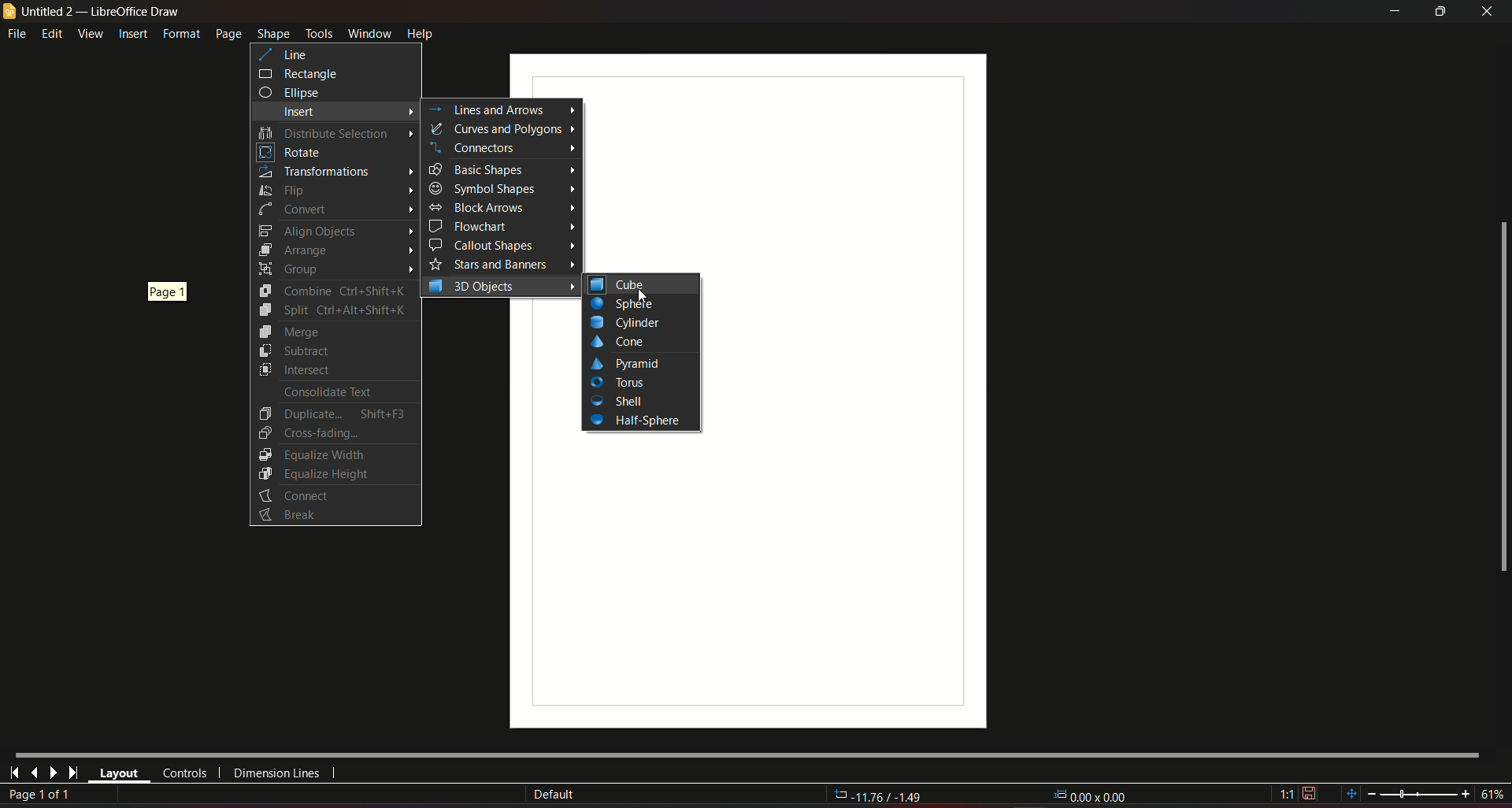  What do you see at coordinates (272, 32) in the screenshot?
I see `shape` at bounding box center [272, 32].